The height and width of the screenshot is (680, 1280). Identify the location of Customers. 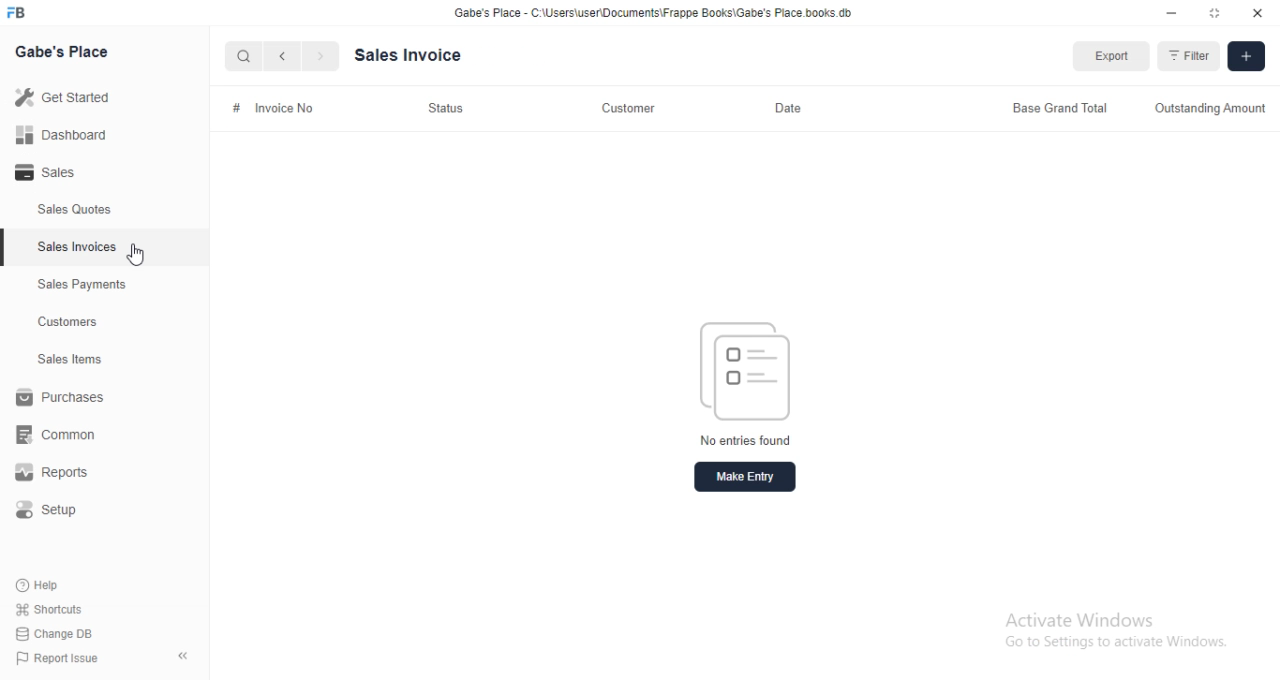
(67, 323).